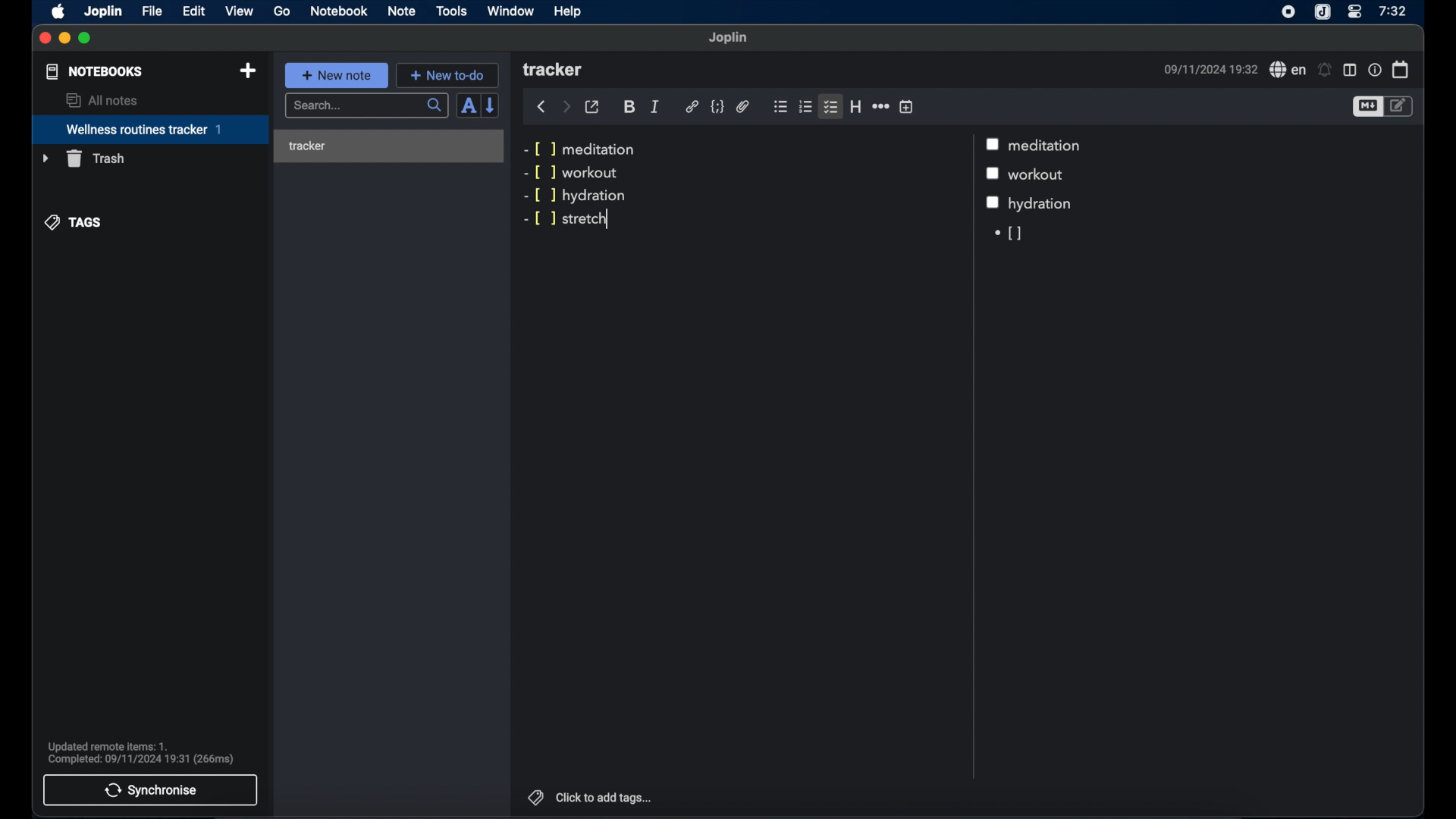  Describe the element at coordinates (541, 107) in the screenshot. I see `back` at that location.